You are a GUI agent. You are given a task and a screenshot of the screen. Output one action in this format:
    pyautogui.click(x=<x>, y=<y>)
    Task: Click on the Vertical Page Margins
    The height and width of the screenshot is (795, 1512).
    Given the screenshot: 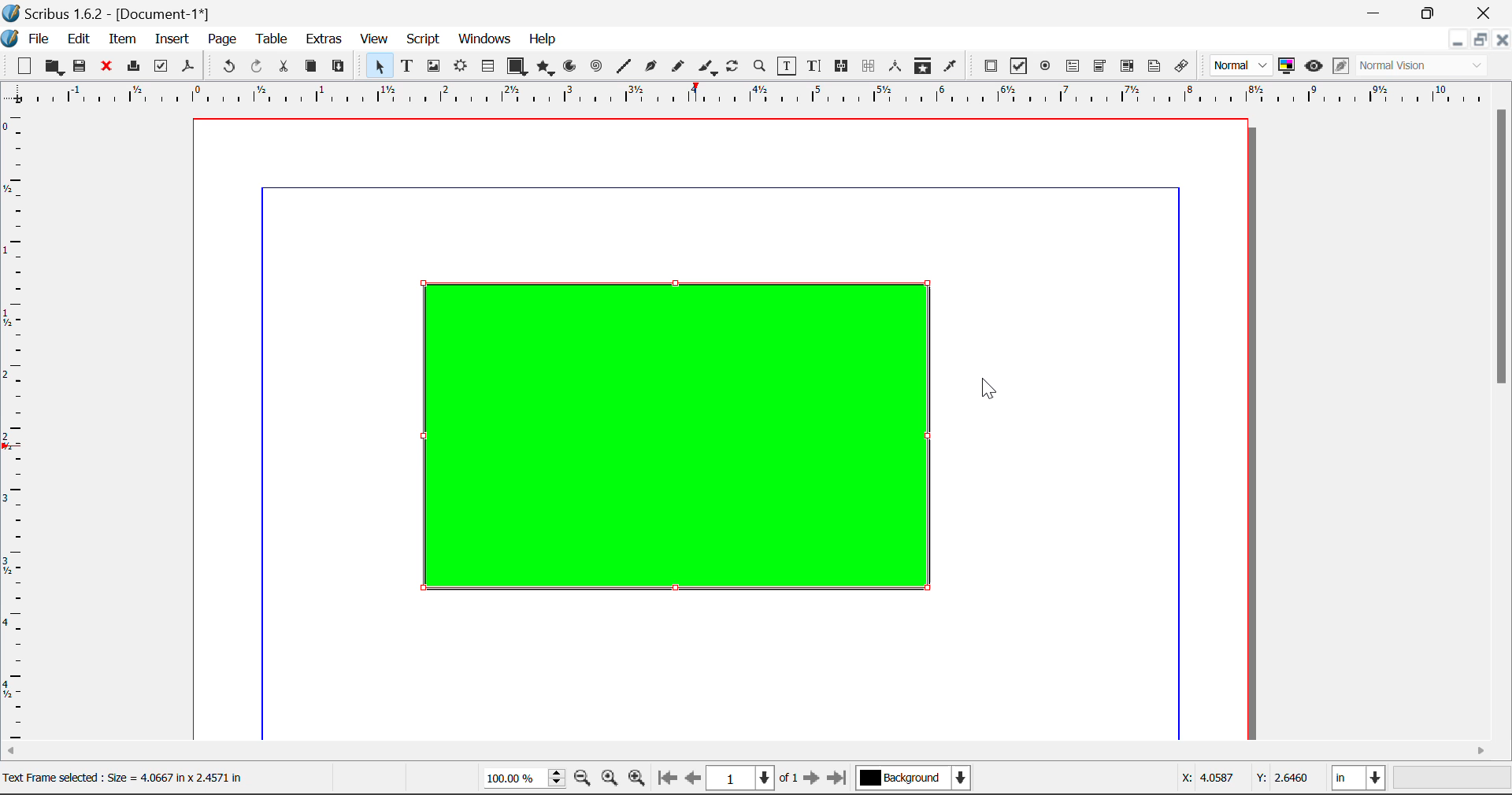 What is the action you would take?
    pyautogui.click(x=764, y=94)
    